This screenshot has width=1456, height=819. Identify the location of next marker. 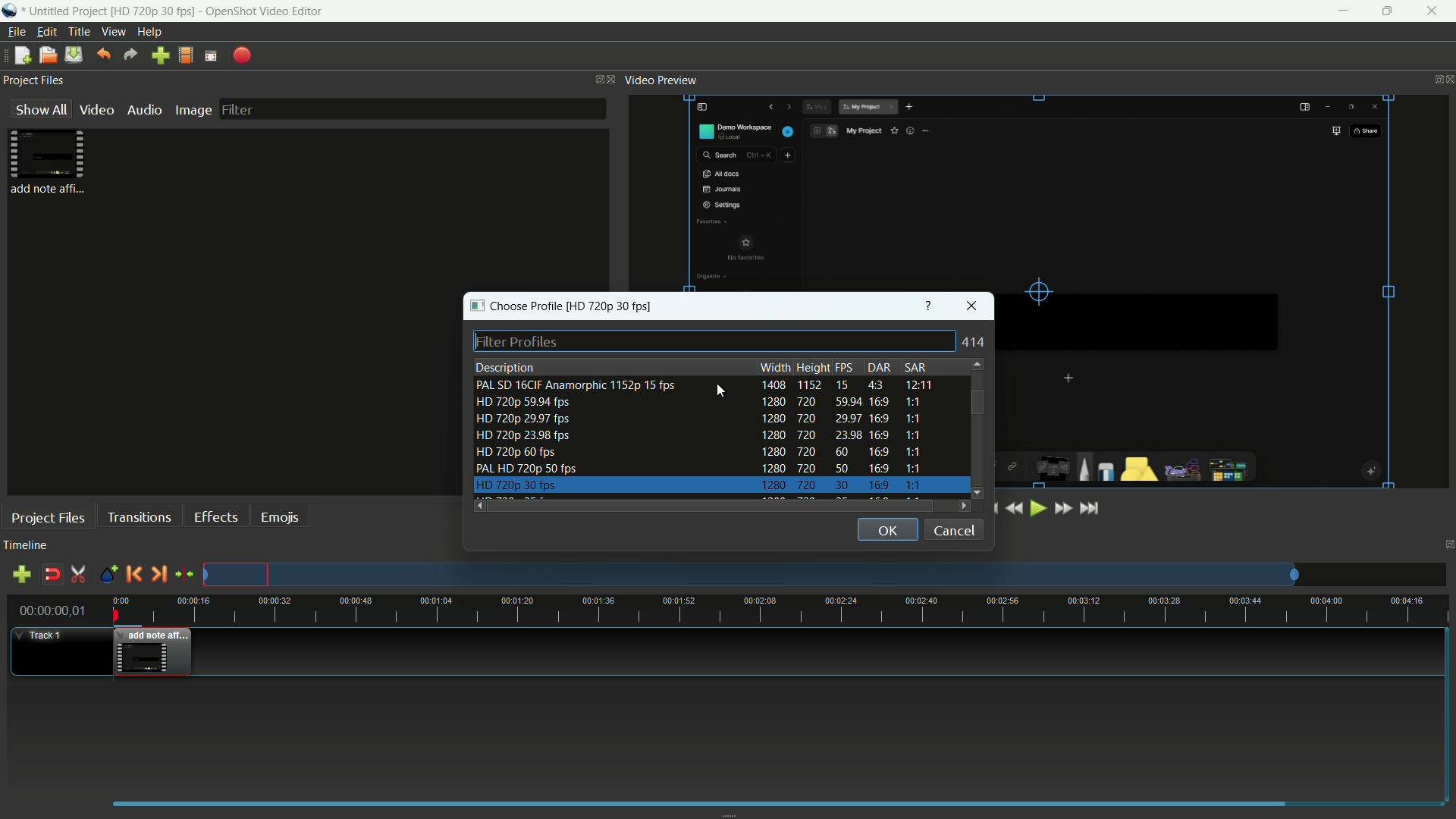
(159, 574).